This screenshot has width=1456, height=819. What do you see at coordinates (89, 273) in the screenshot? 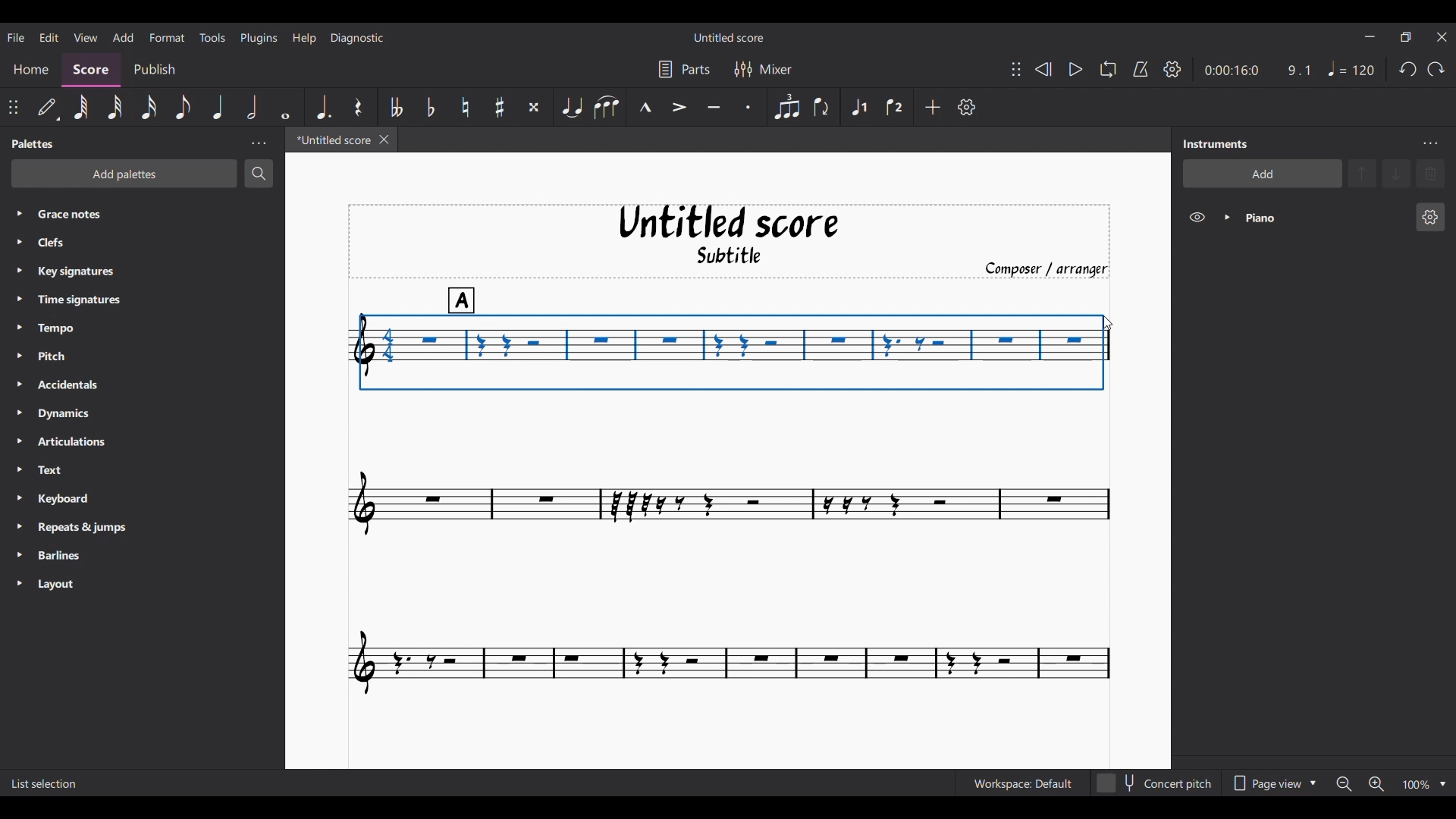
I see `Key signatures.` at bounding box center [89, 273].